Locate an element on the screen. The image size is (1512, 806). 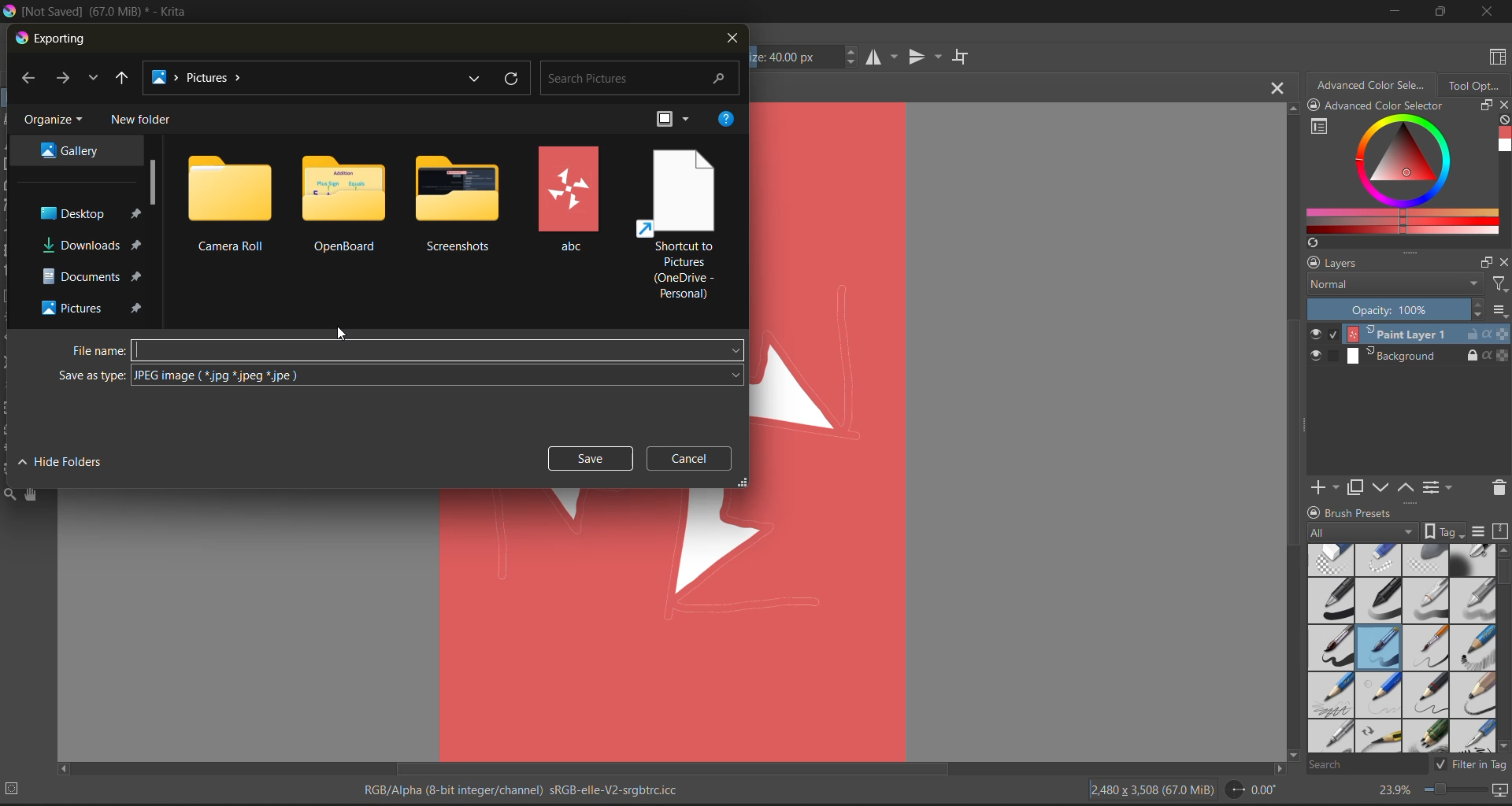
metadata is located at coordinates (530, 787).